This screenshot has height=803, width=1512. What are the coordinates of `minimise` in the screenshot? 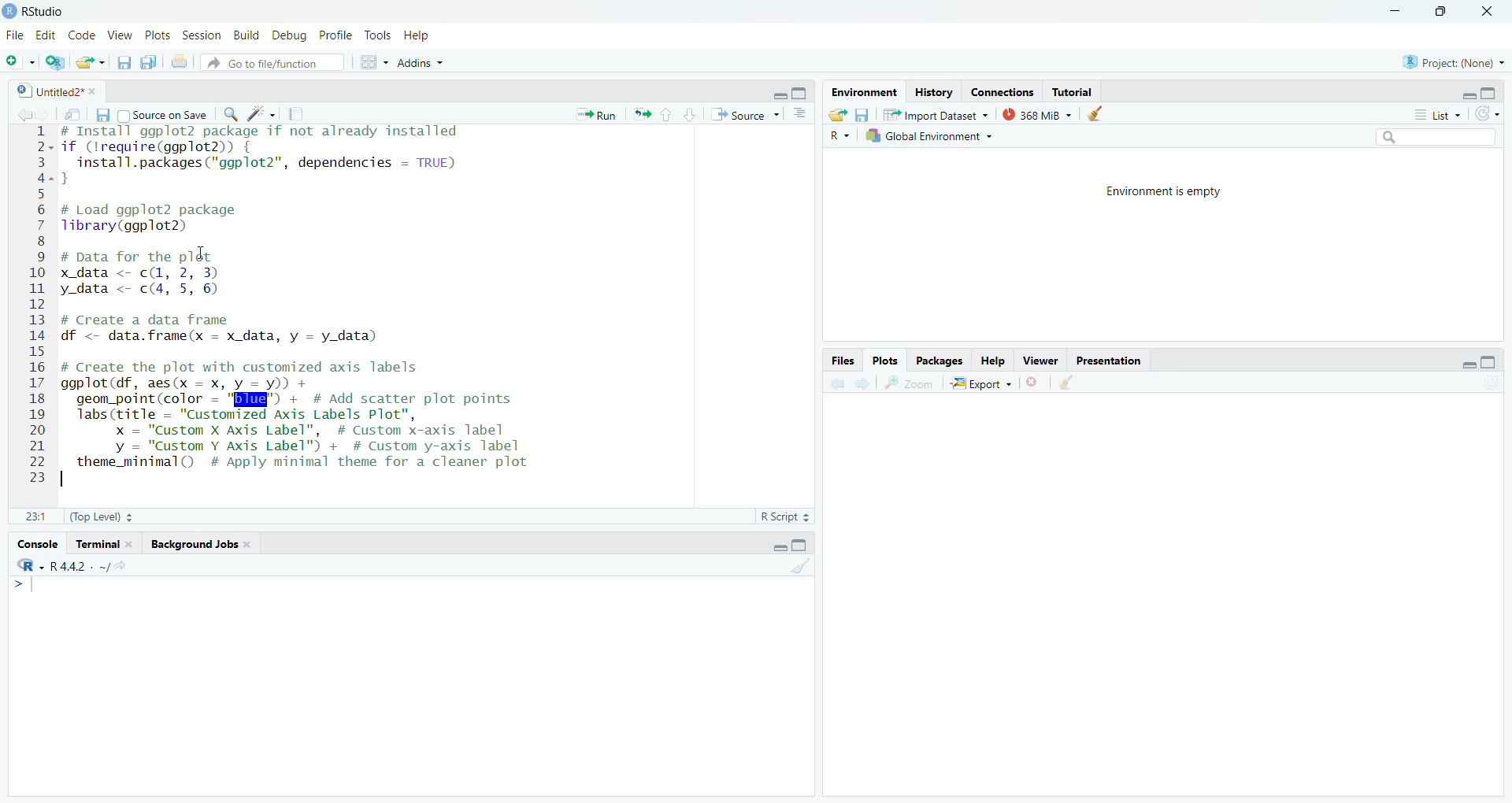 It's located at (775, 545).